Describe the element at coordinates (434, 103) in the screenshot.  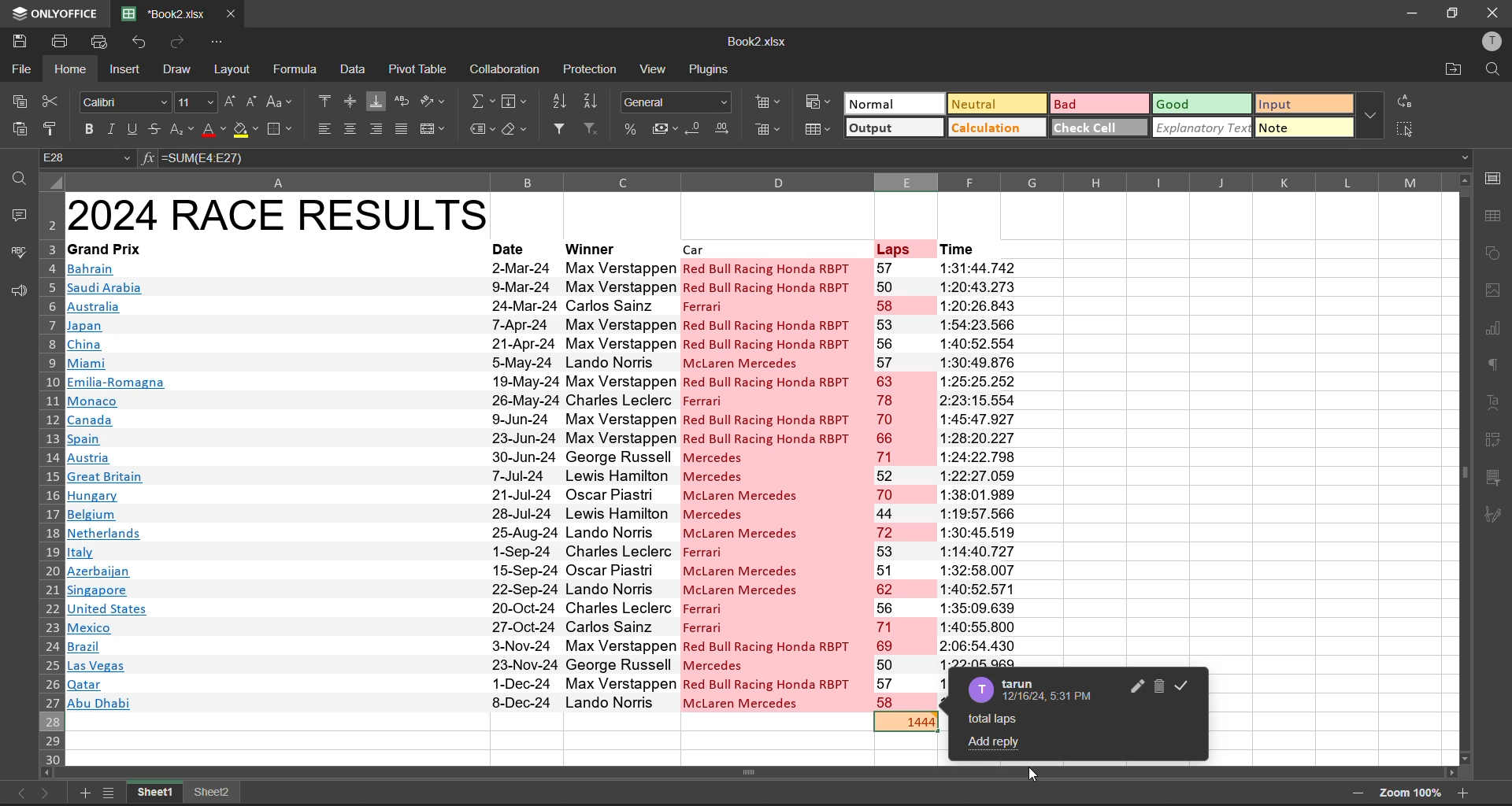
I see `orientation` at that location.